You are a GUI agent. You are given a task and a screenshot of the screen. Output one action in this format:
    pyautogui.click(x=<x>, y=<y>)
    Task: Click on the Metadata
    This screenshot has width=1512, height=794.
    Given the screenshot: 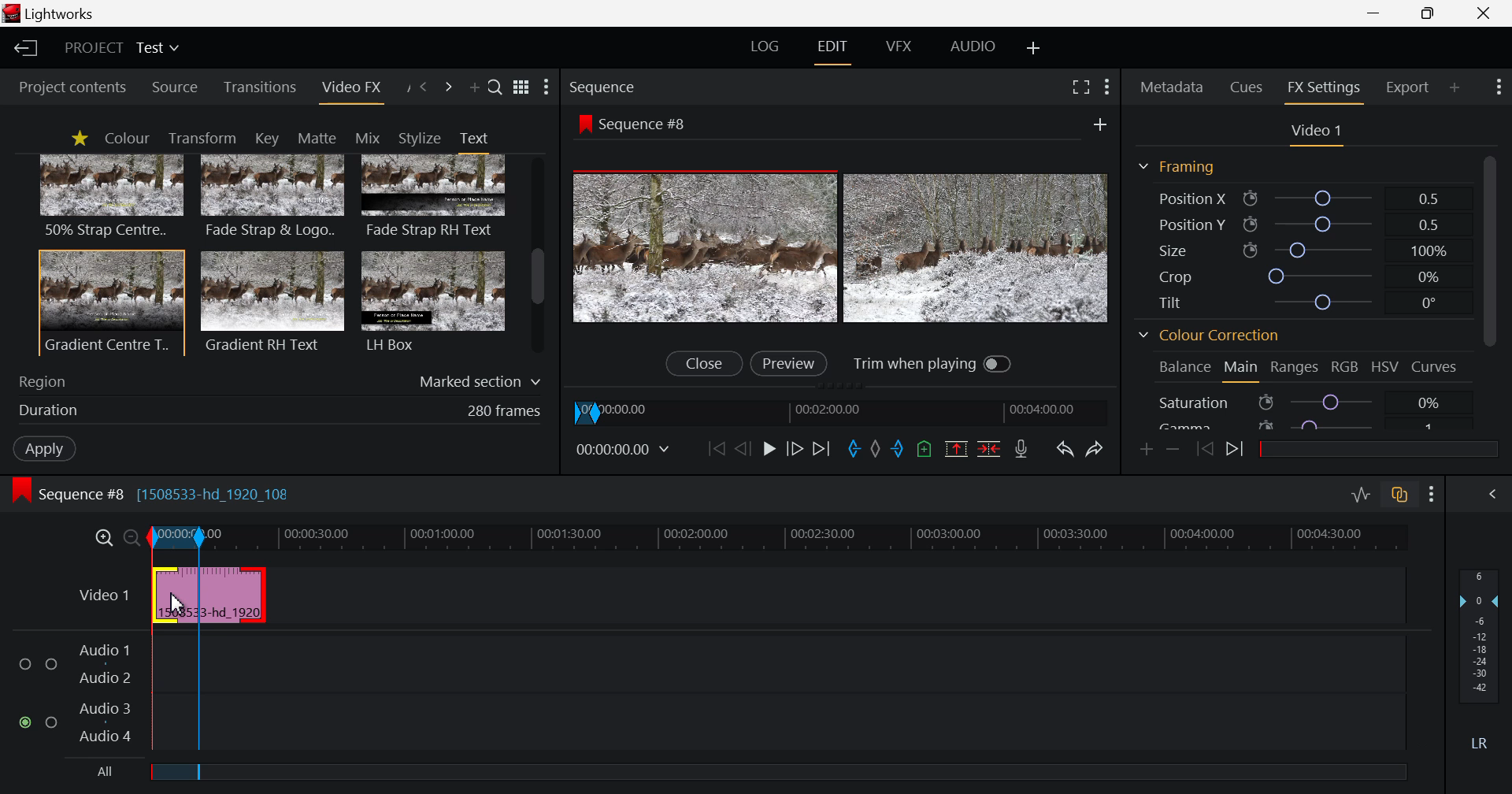 What is the action you would take?
    pyautogui.click(x=1173, y=84)
    